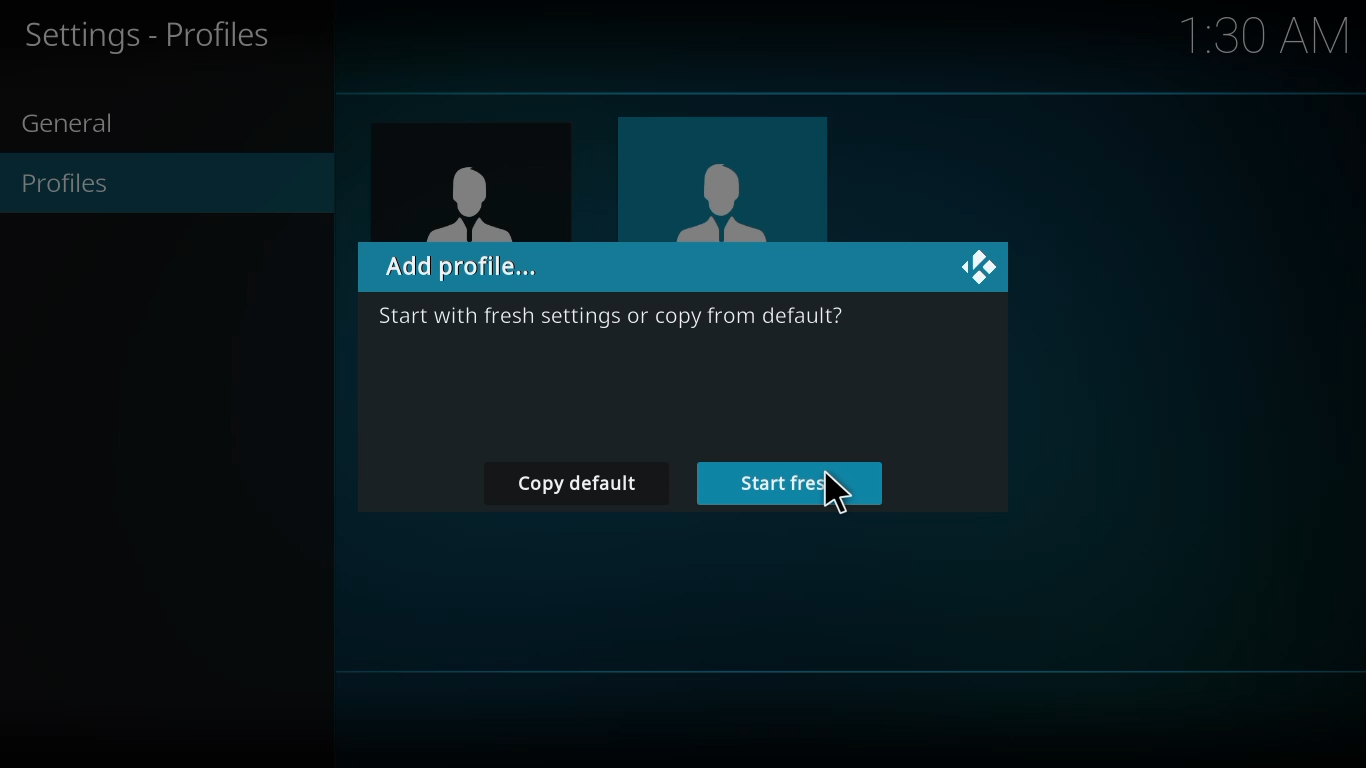  Describe the element at coordinates (1265, 36) in the screenshot. I see `time` at that location.